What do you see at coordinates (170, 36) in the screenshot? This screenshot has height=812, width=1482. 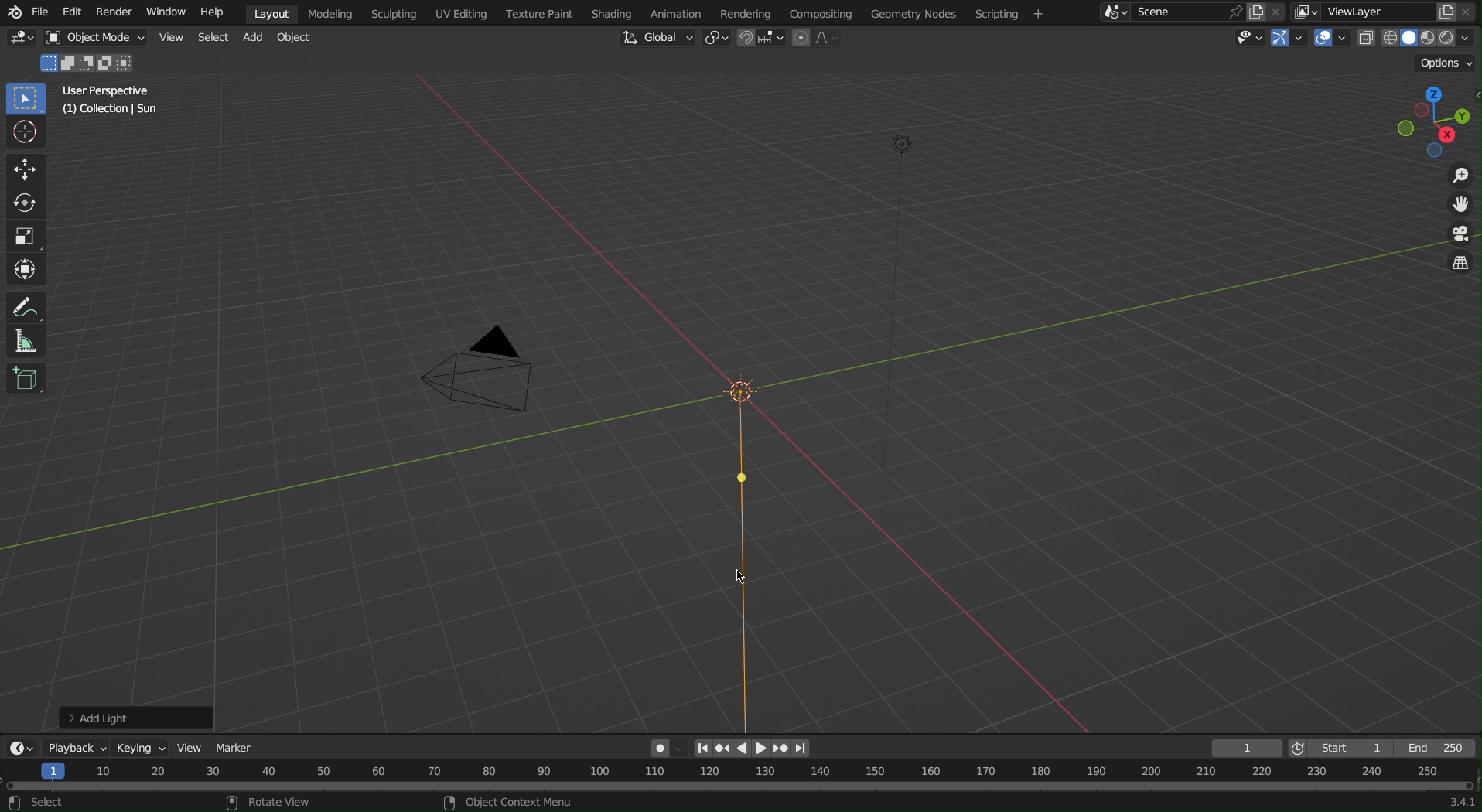 I see `View` at bounding box center [170, 36].